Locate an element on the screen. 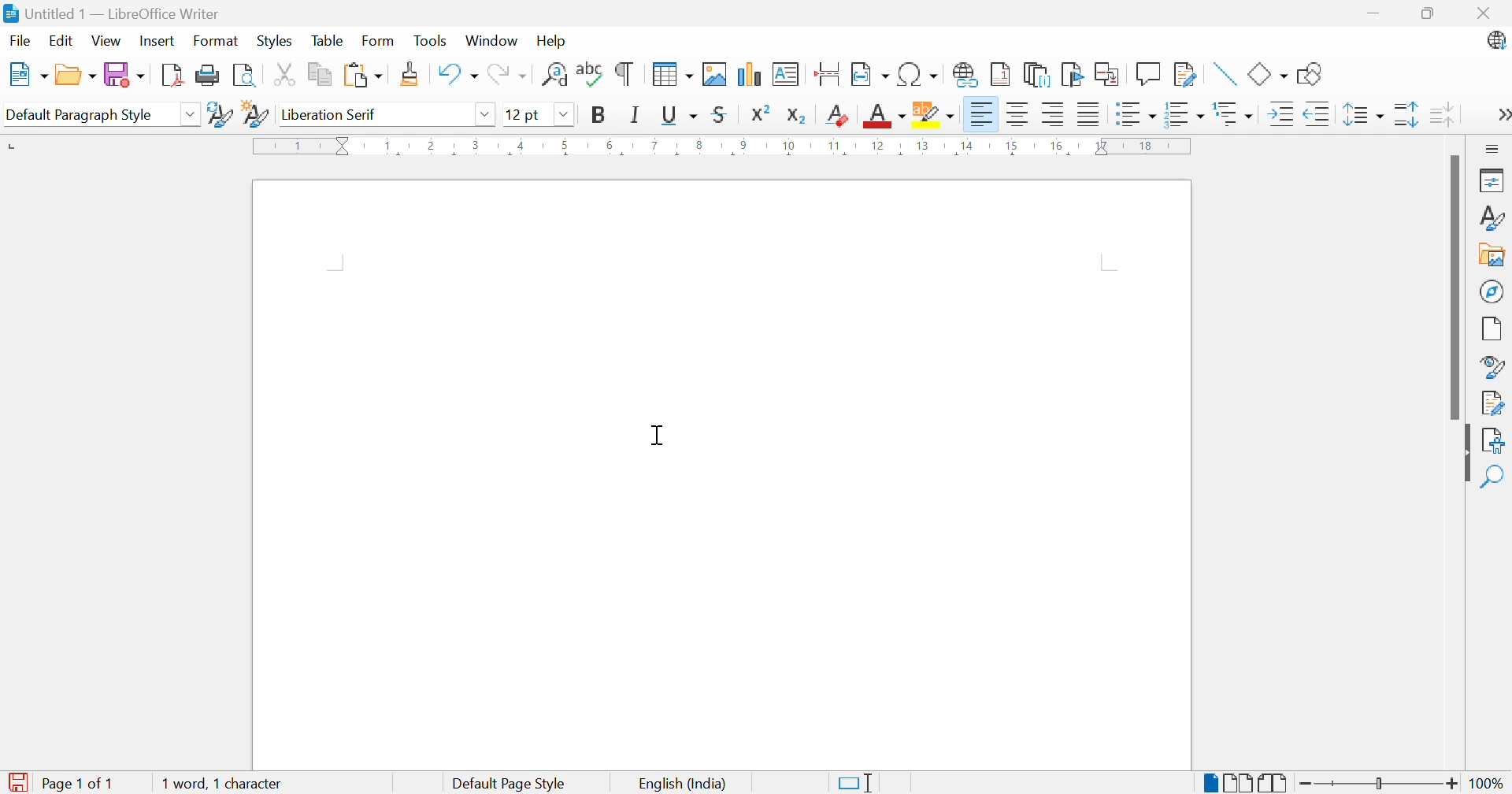  Single-page view is located at coordinates (1208, 785).